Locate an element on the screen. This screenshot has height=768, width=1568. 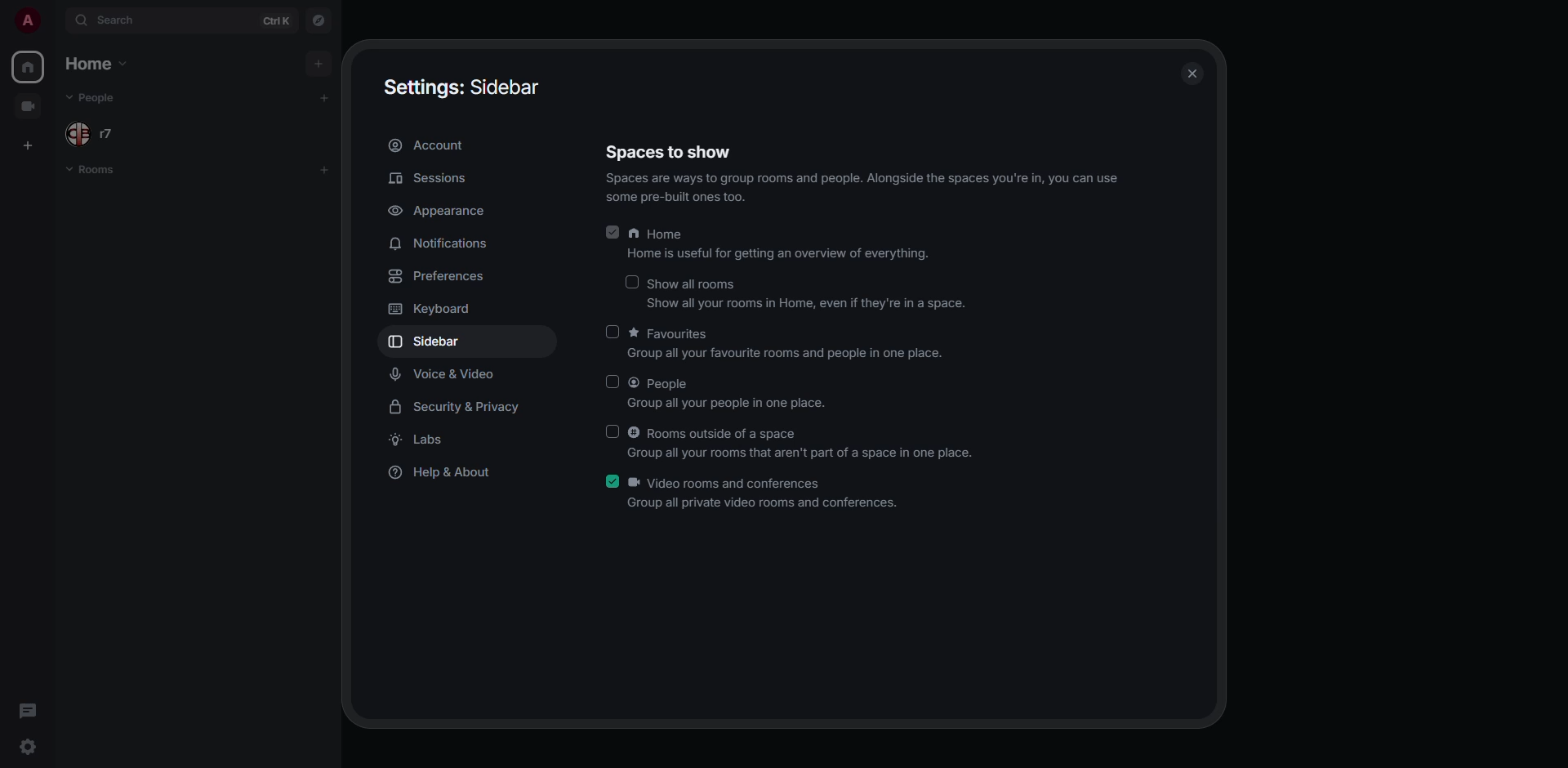
home is located at coordinates (91, 65).